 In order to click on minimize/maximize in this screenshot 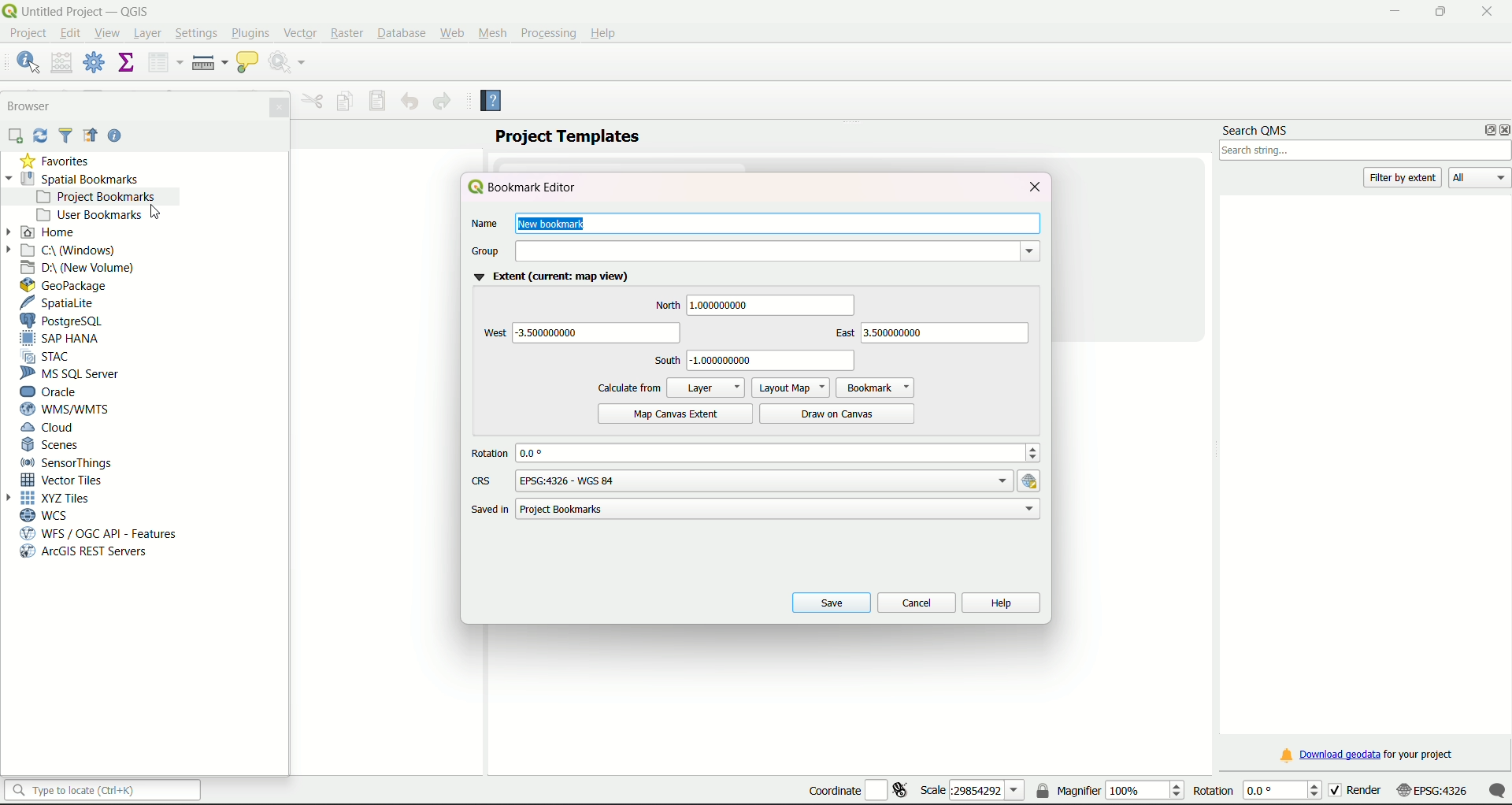, I will do `click(1440, 12)`.